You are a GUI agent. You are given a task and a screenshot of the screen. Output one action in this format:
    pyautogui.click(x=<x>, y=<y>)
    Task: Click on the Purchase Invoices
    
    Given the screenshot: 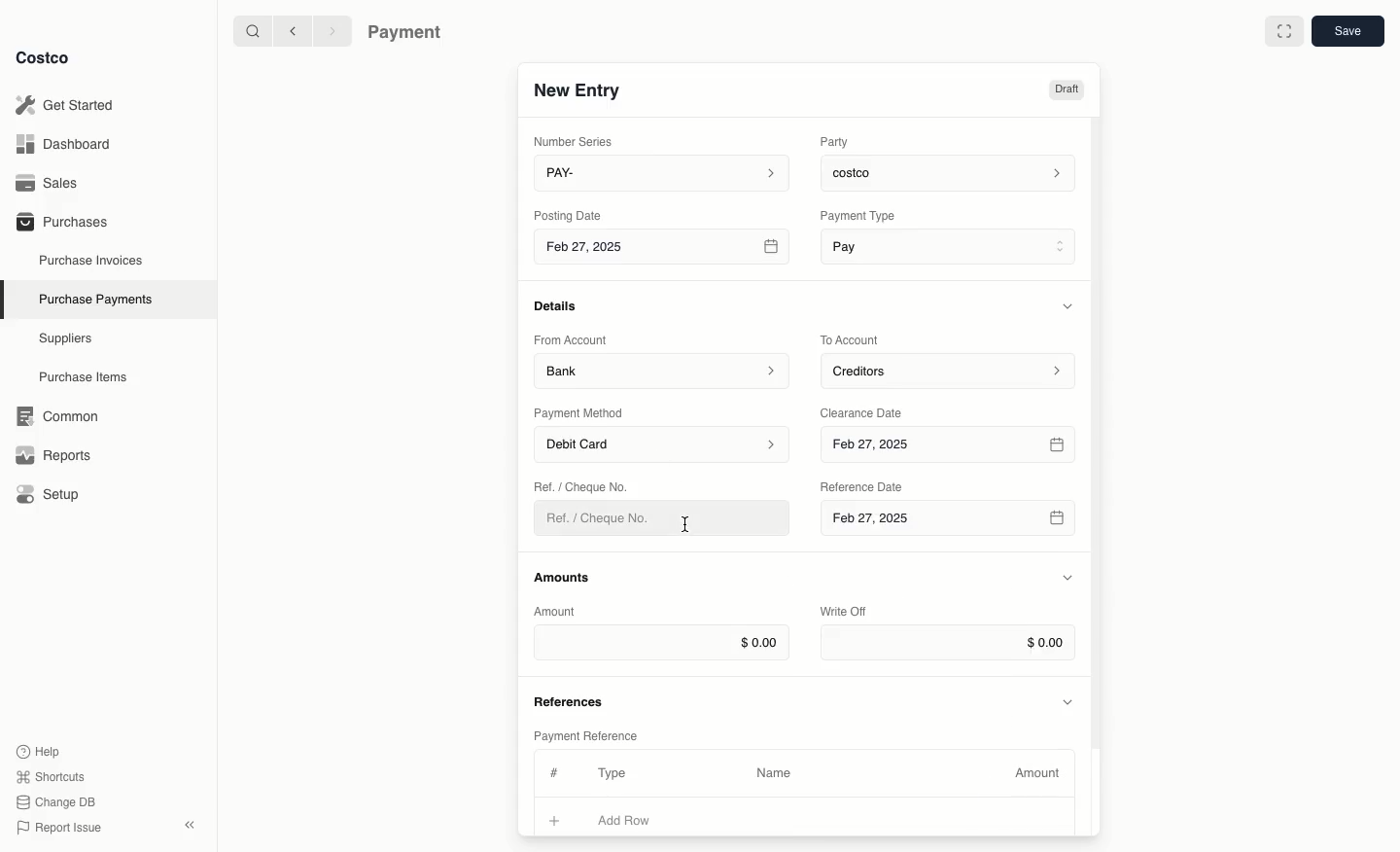 What is the action you would take?
    pyautogui.click(x=92, y=260)
    